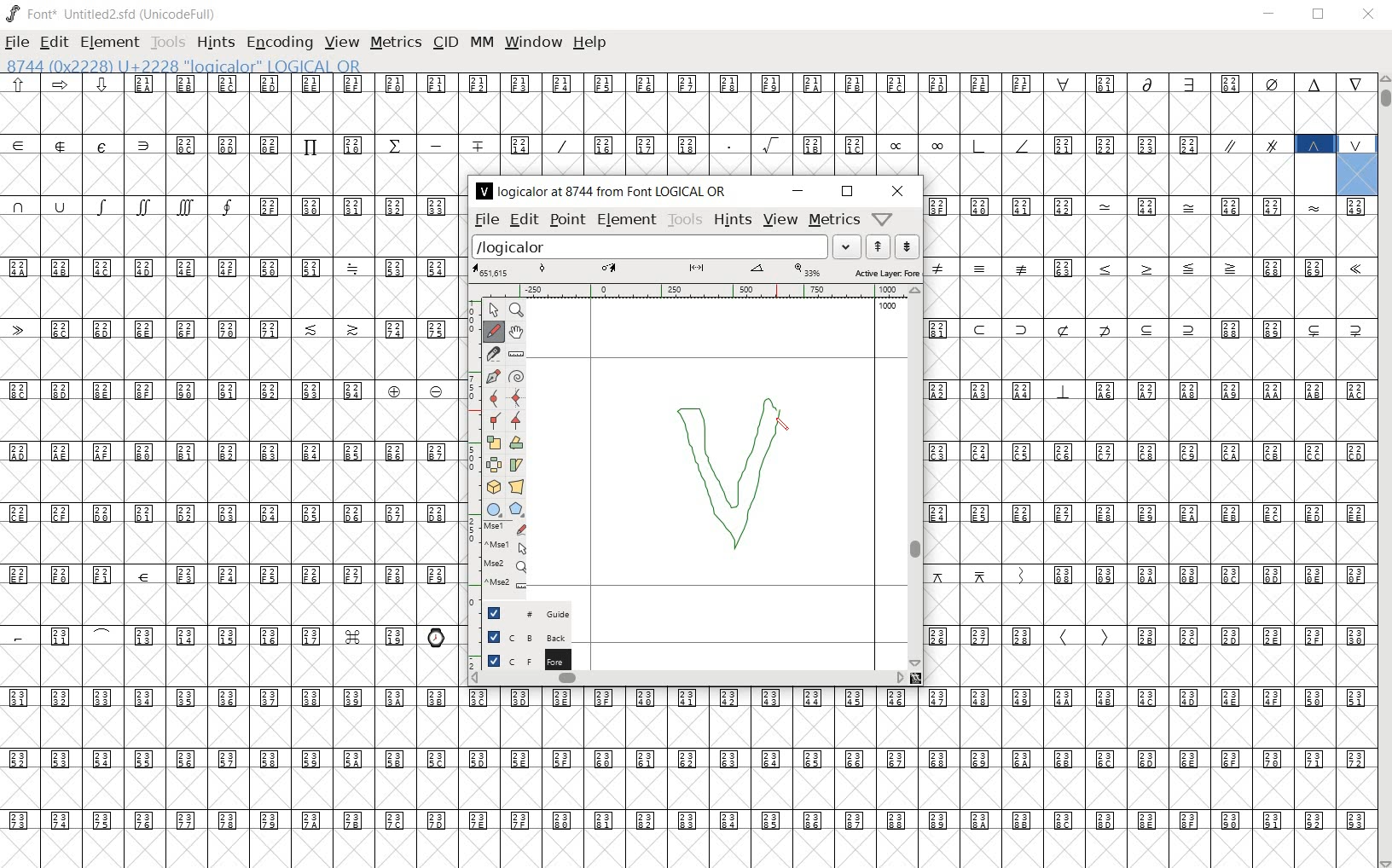 The width and height of the screenshot is (1392, 868). What do you see at coordinates (479, 42) in the screenshot?
I see `mm` at bounding box center [479, 42].